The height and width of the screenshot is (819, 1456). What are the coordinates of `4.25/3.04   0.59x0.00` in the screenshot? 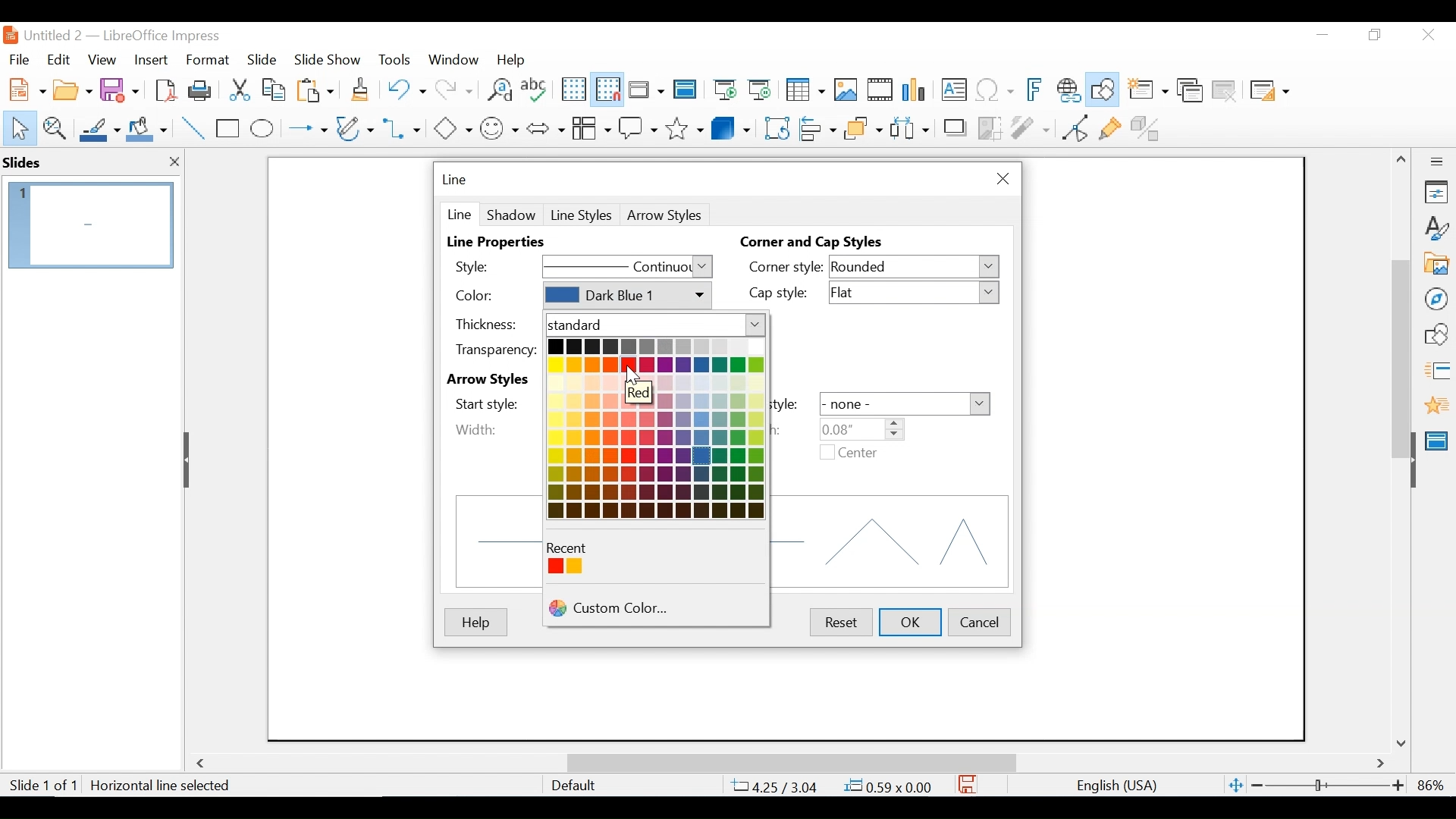 It's located at (833, 786).